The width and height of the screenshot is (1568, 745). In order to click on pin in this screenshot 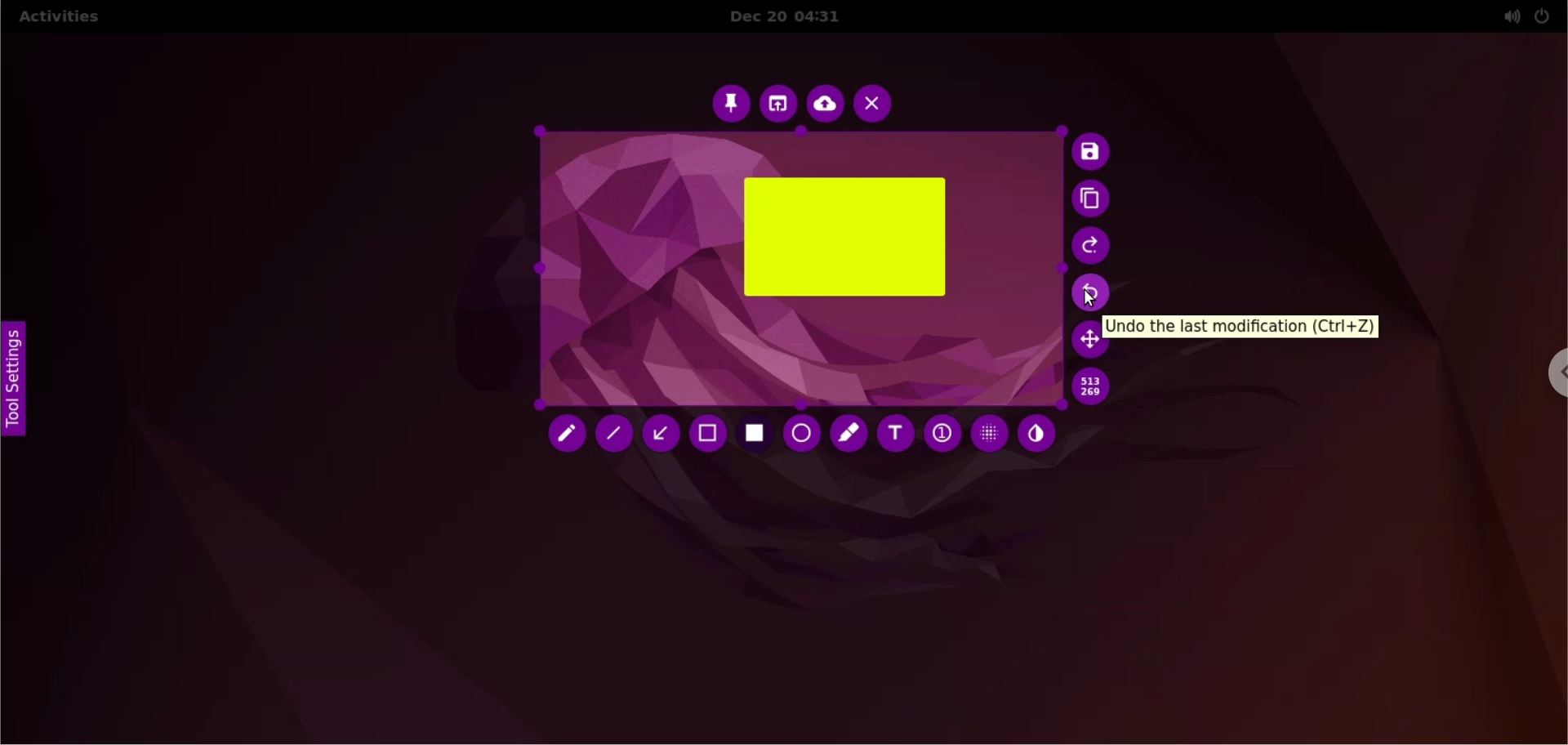, I will do `click(731, 103)`.